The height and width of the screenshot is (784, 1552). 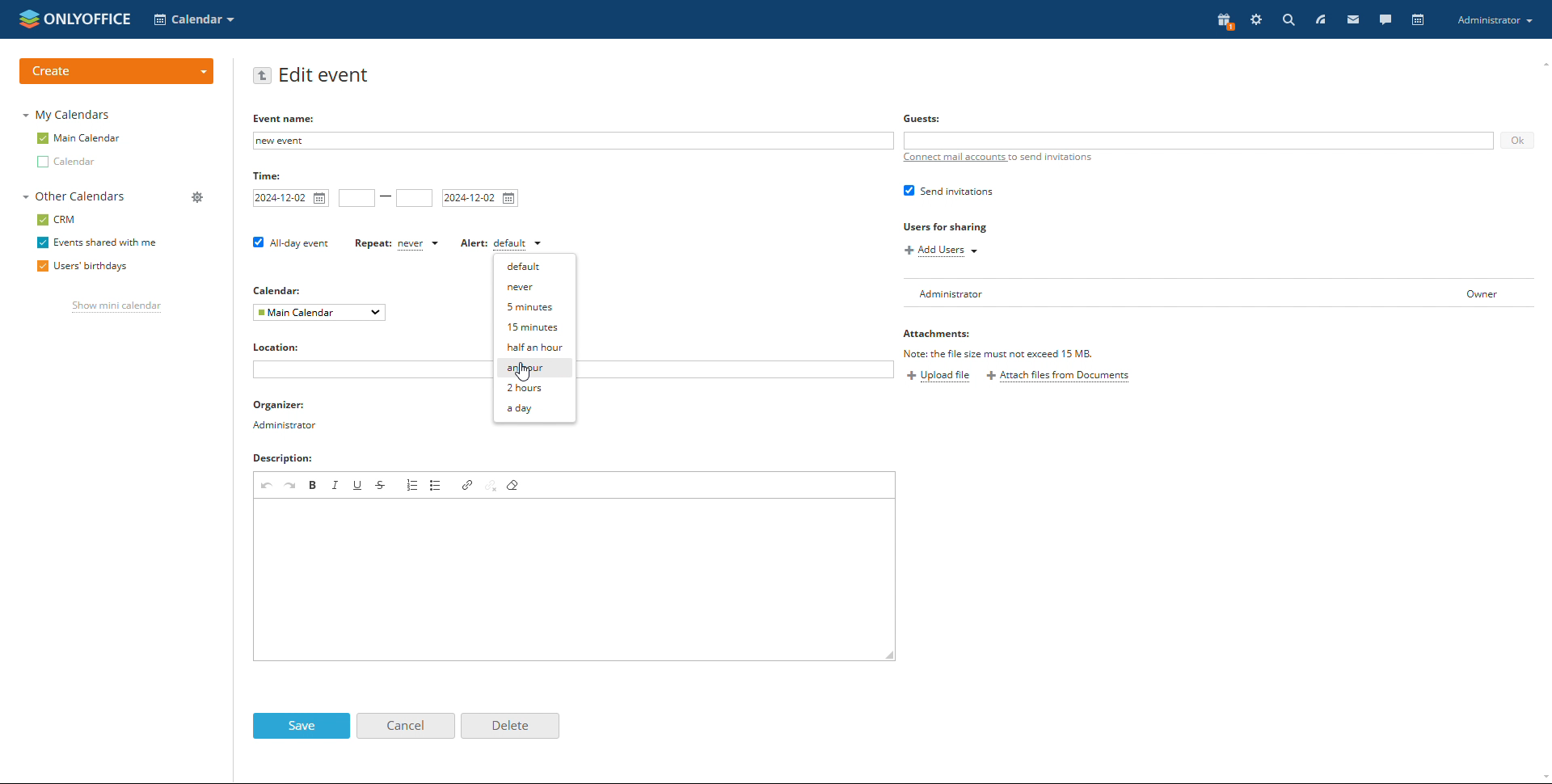 What do you see at coordinates (358, 485) in the screenshot?
I see `underline` at bounding box center [358, 485].